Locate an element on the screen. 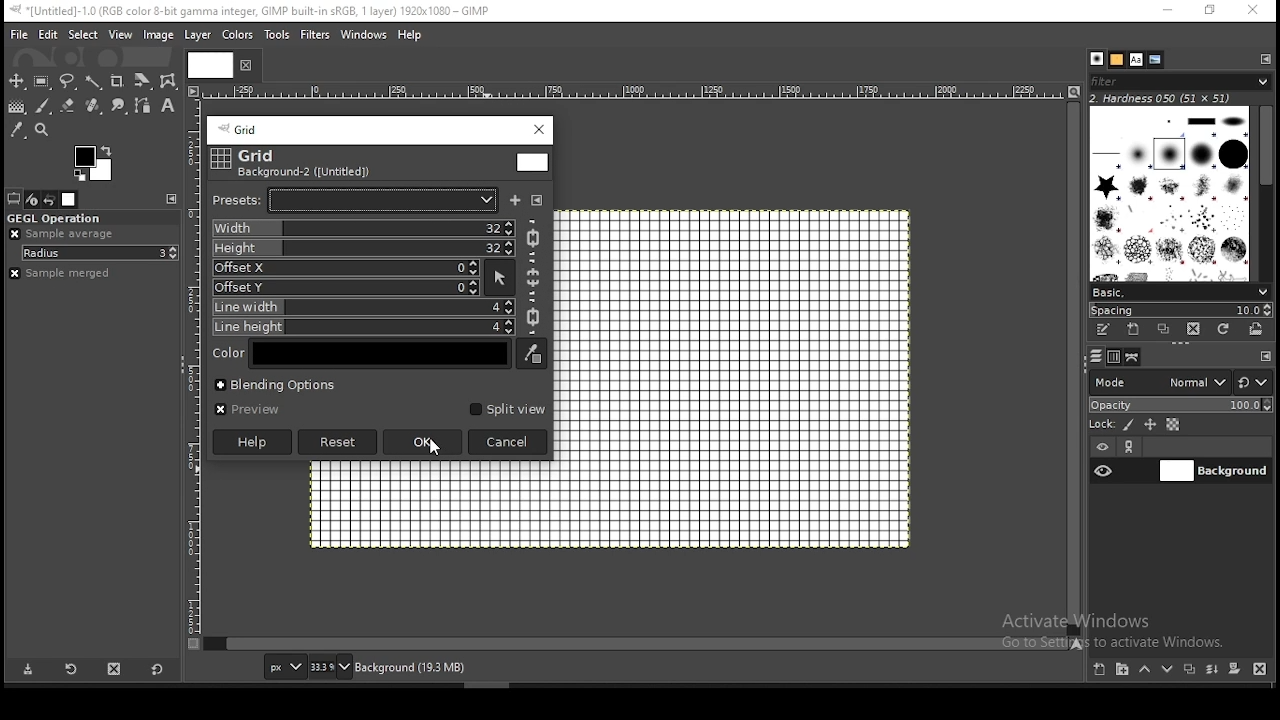  wrap transform is located at coordinates (168, 80).